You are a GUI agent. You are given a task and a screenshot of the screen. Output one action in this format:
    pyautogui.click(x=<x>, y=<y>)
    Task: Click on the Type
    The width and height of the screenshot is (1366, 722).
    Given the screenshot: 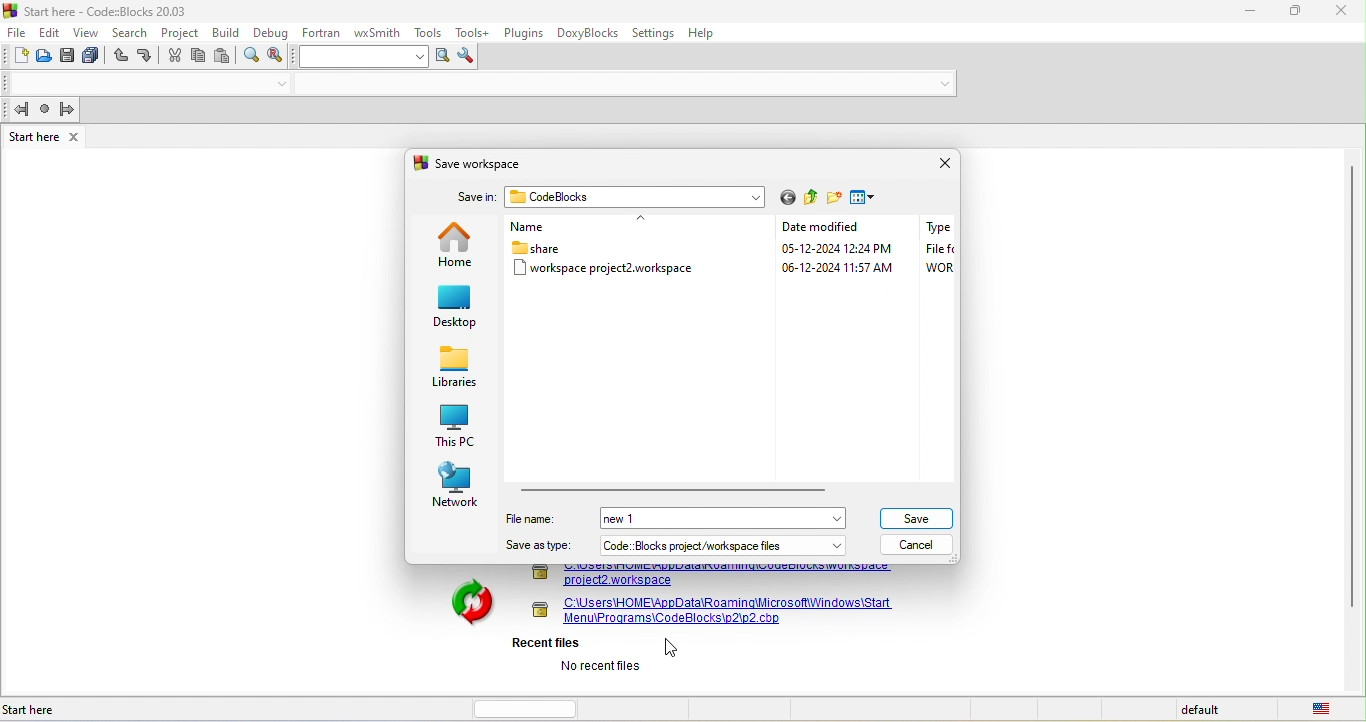 What is the action you would take?
    pyautogui.click(x=937, y=227)
    